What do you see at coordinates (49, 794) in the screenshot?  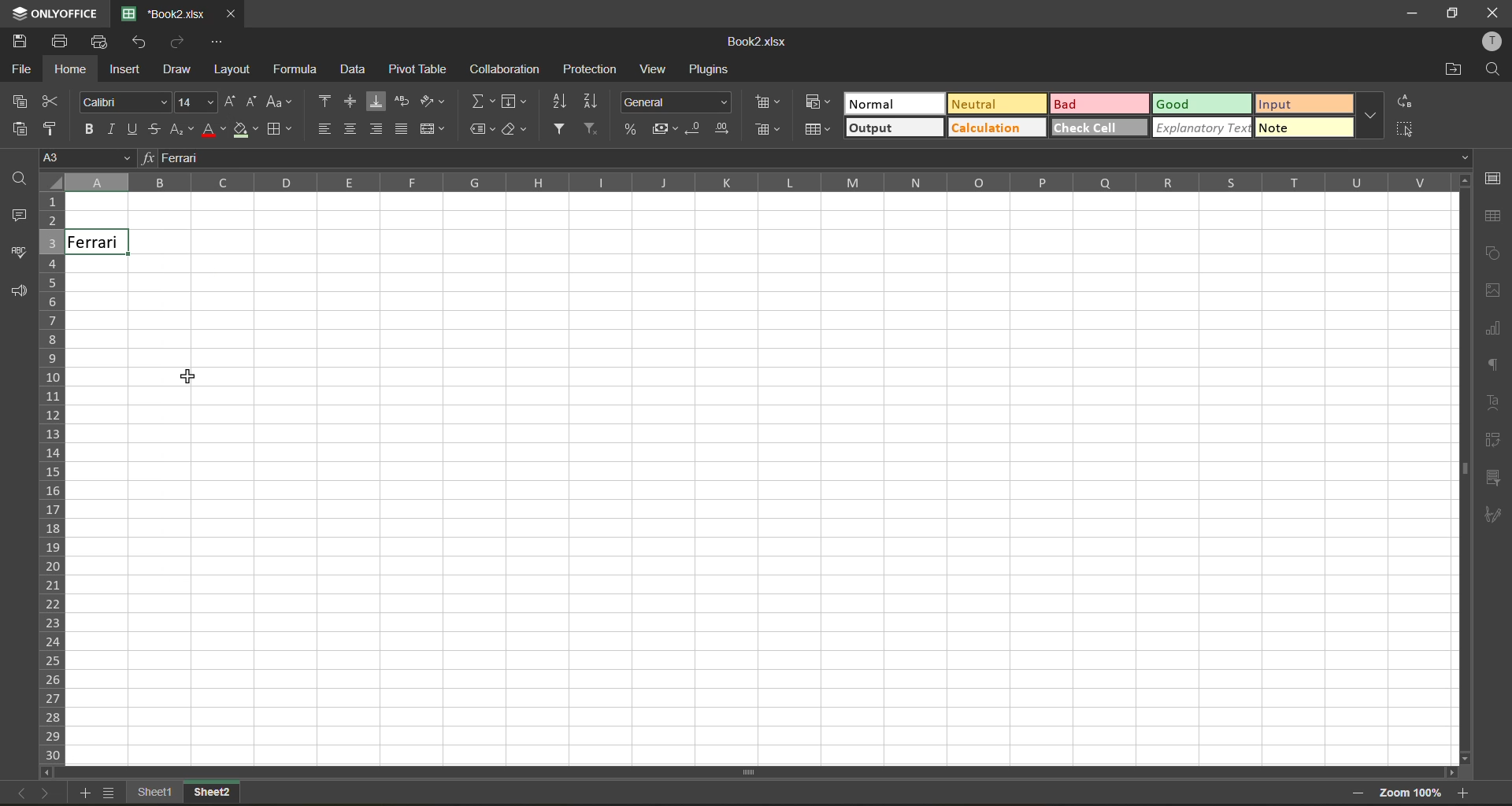 I see `next` at bounding box center [49, 794].